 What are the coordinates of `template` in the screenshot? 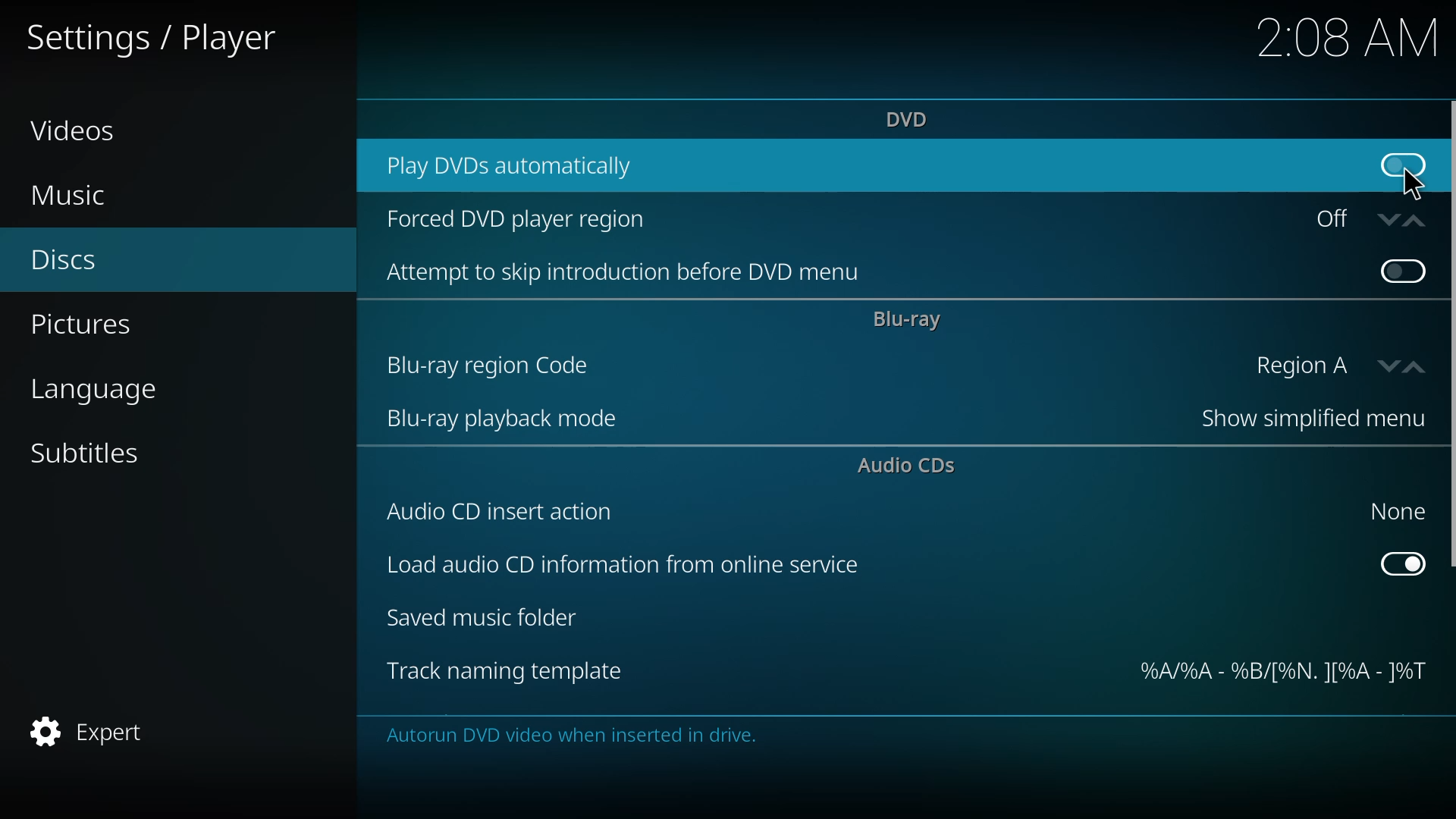 It's located at (1281, 673).